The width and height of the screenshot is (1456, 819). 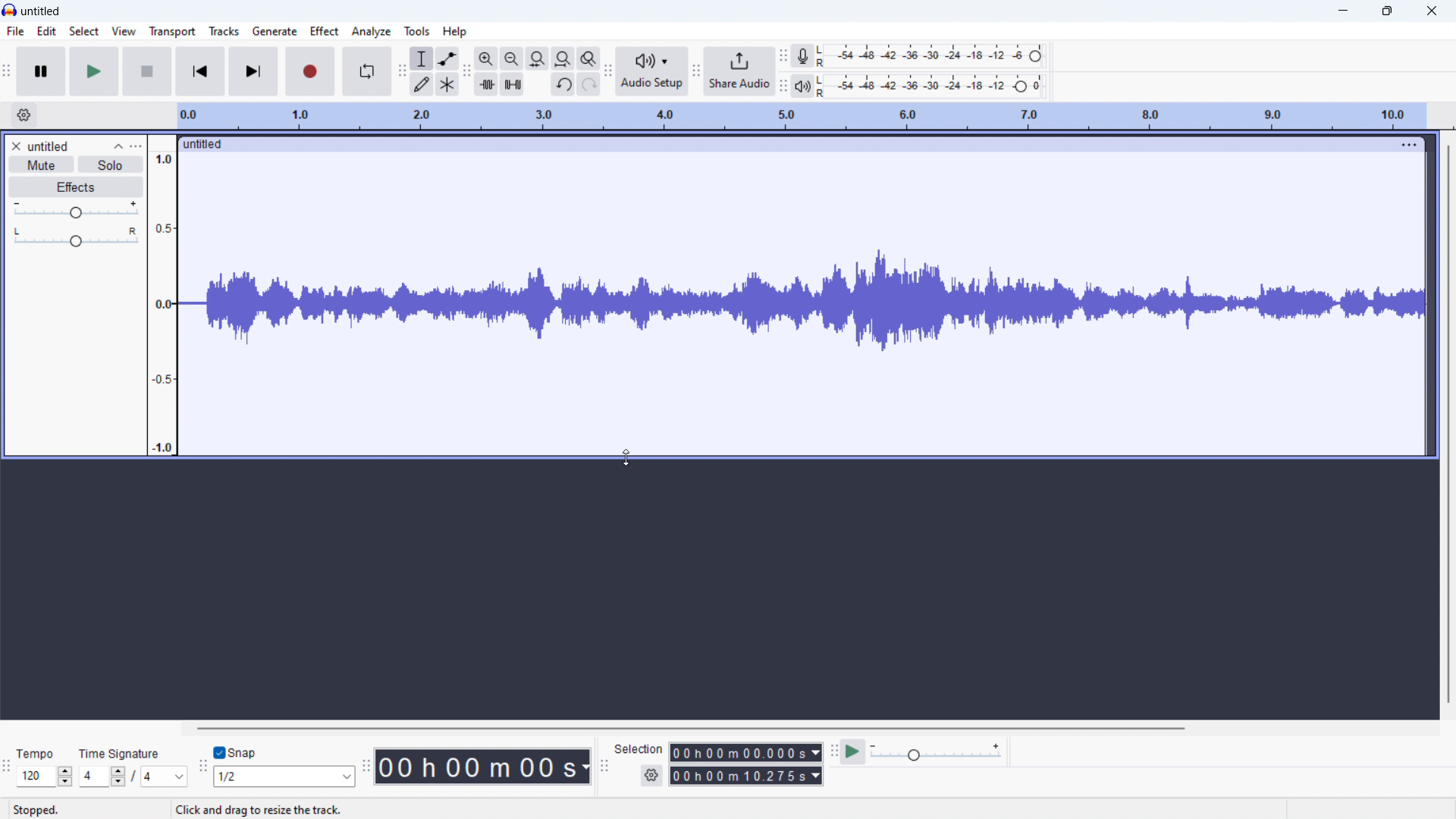 What do you see at coordinates (16, 31) in the screenshot?
I see `file` at bounding box center [16, 31].